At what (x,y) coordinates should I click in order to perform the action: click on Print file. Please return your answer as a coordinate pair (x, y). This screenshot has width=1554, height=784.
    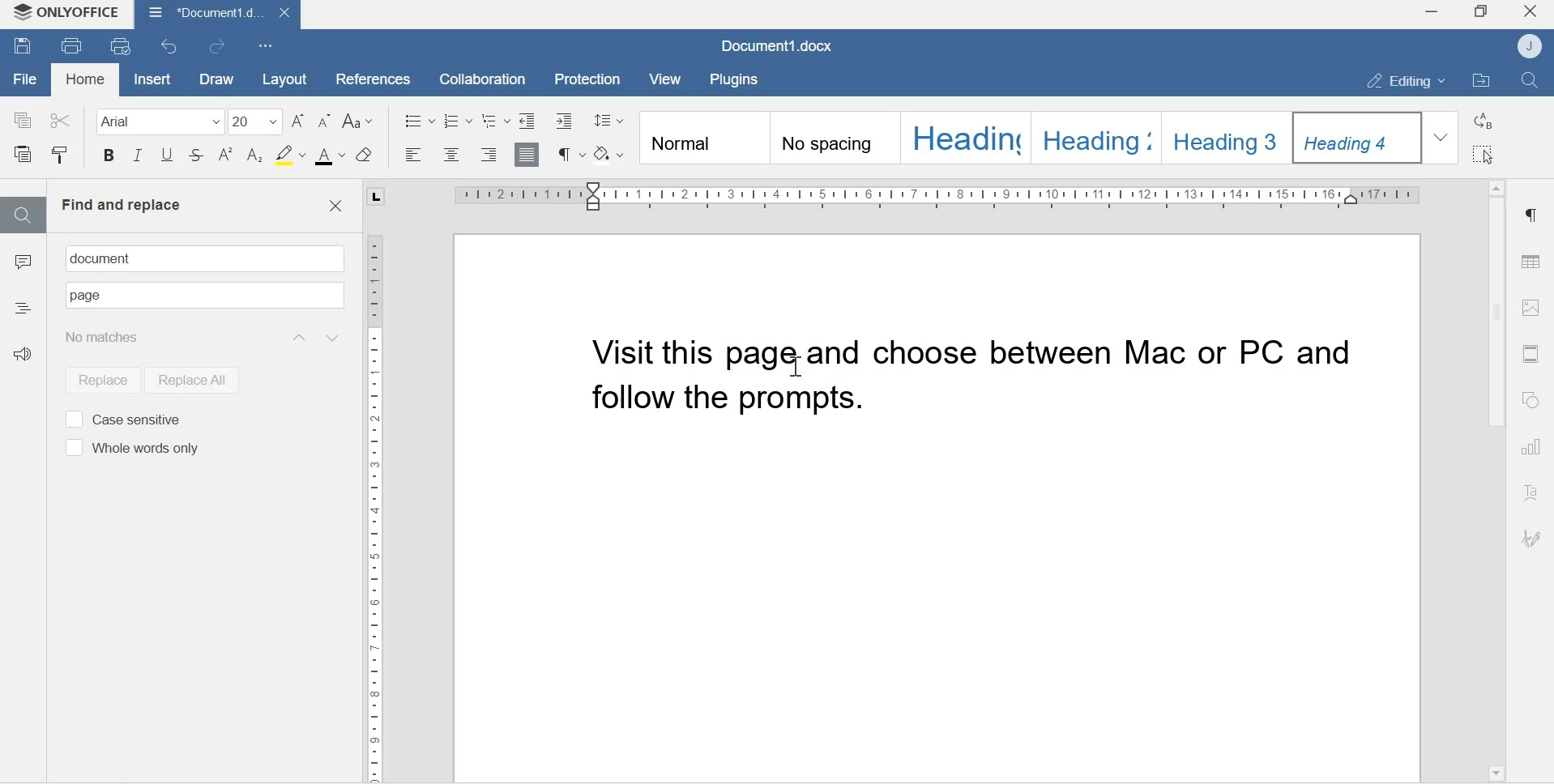
    Looking at the image, I should click on (73, 45).